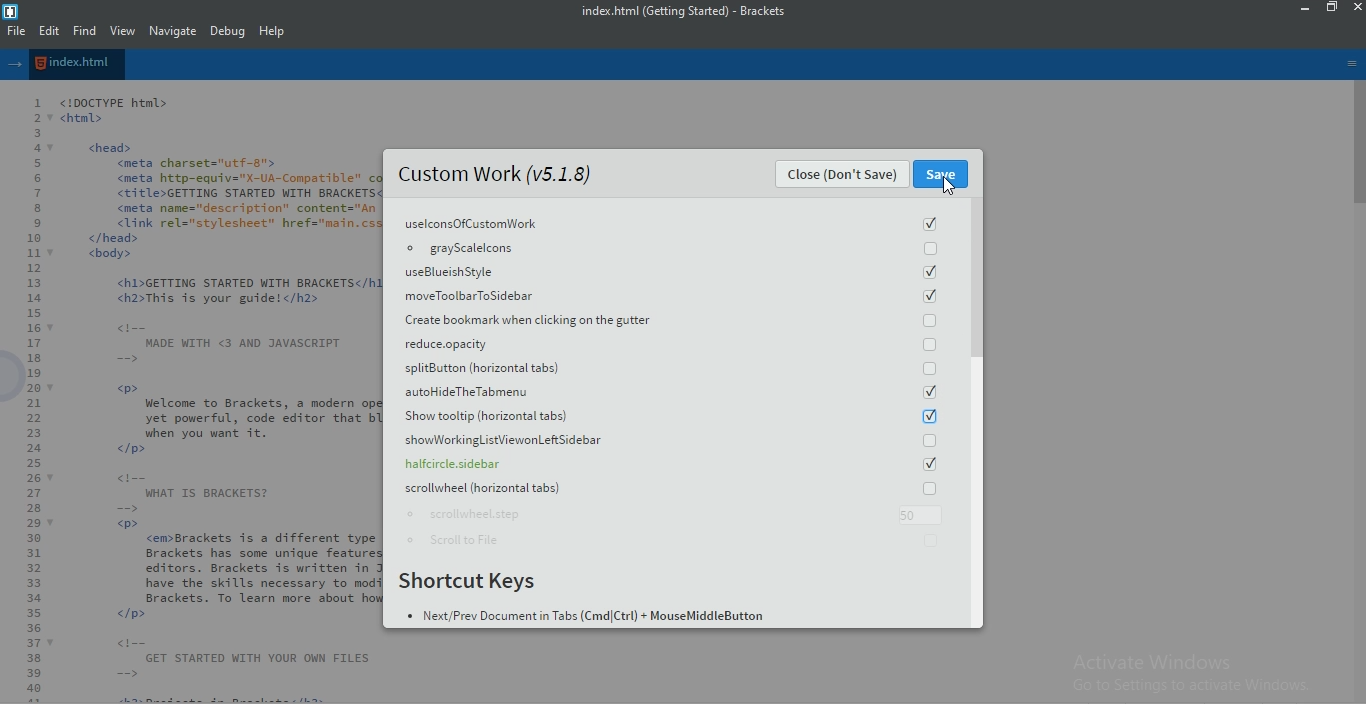 The height and width of the screenshot is (704, 1366). What do you see at coordinates (940, 174) in the screenshot?
I see `Save` at bounding box center [940, 174].